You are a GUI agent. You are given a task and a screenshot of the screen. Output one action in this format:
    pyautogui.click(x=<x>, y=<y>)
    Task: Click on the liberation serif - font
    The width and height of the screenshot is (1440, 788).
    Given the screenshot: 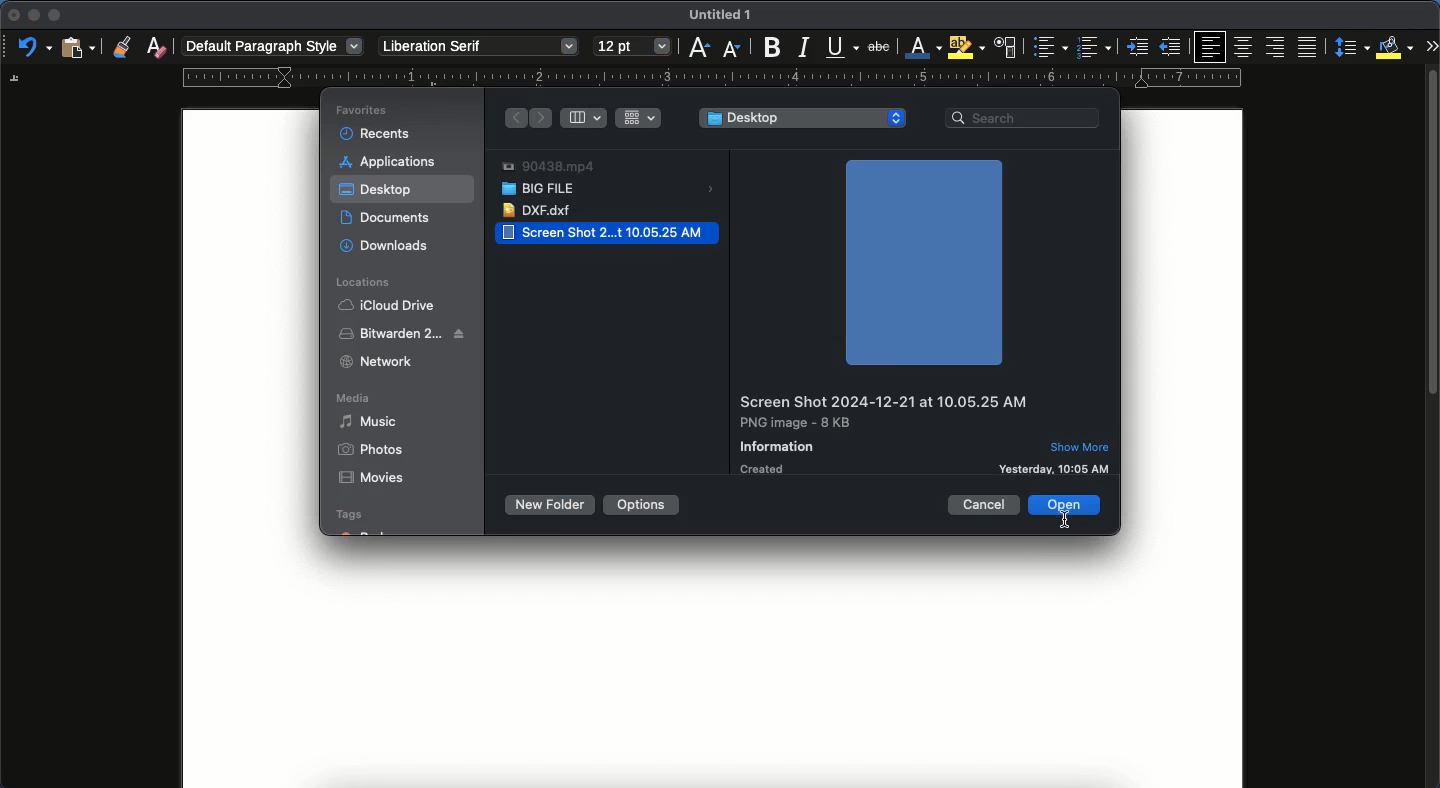 What is the action you would take?
    pyautogui.click(x=477, y=44)
    